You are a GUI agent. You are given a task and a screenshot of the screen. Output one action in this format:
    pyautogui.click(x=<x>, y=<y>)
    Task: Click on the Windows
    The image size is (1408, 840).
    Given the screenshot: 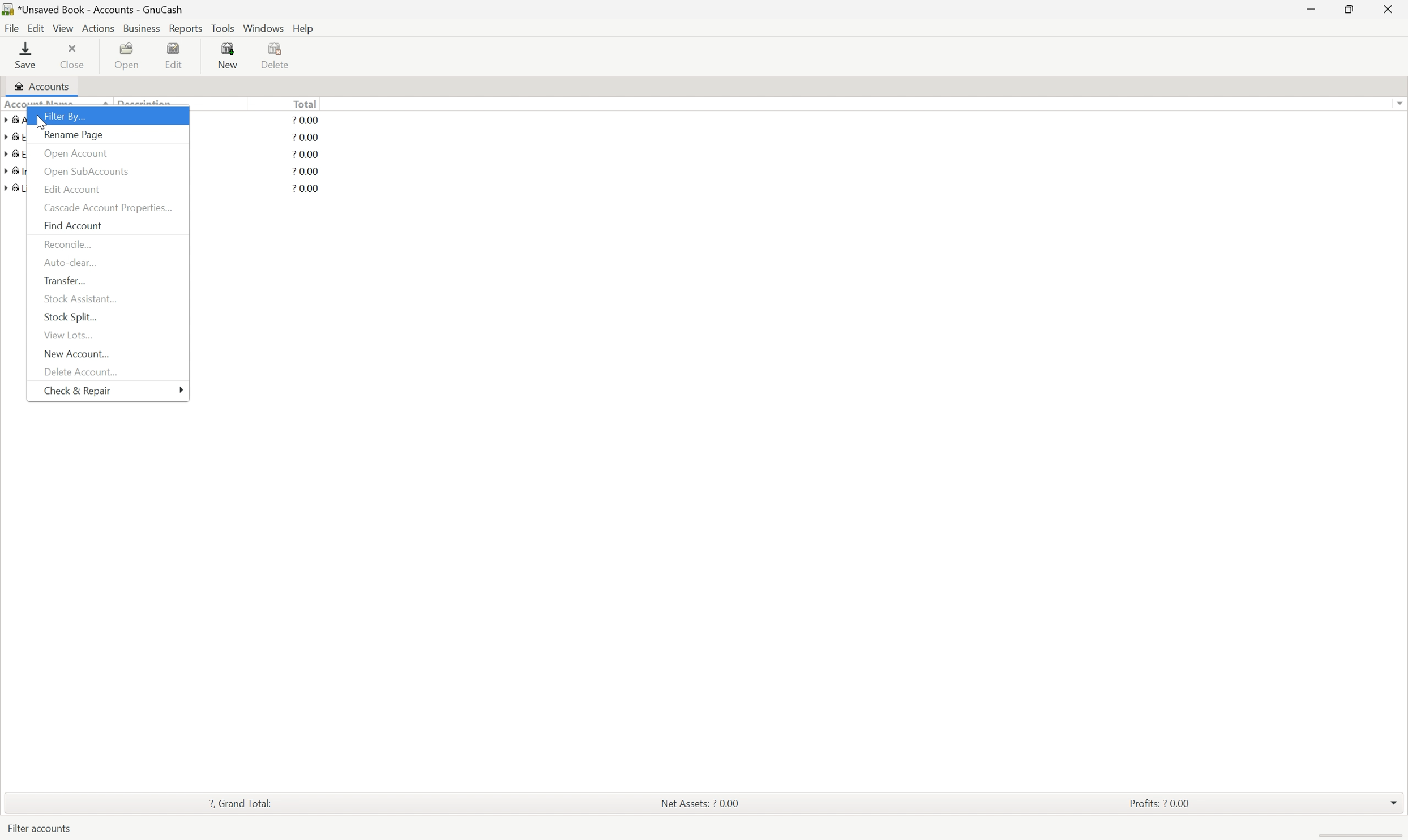 What is the action you would take?
    pyautogui.click(x=264, y=28)
    